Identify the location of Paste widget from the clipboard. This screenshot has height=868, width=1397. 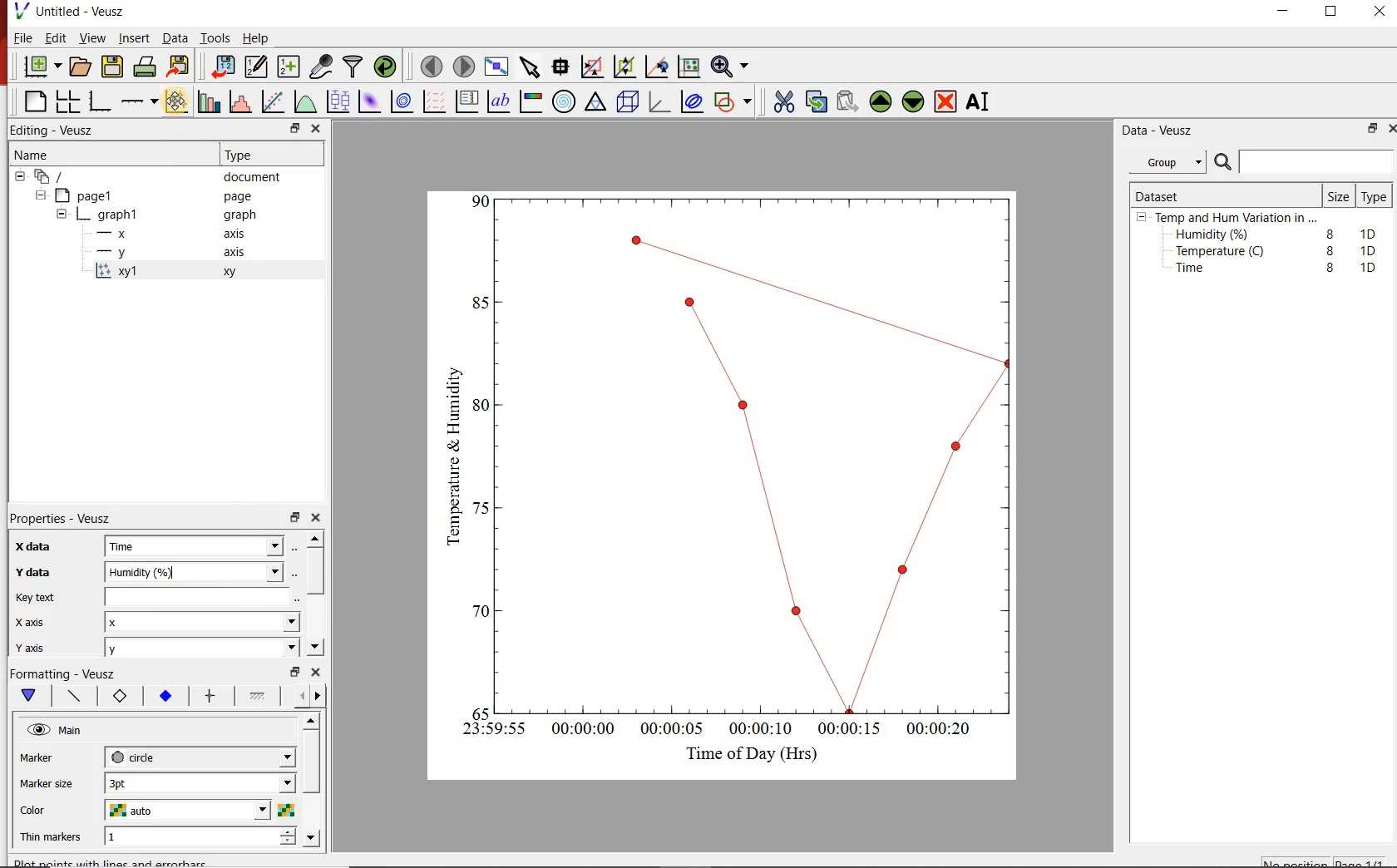
(848, 101).